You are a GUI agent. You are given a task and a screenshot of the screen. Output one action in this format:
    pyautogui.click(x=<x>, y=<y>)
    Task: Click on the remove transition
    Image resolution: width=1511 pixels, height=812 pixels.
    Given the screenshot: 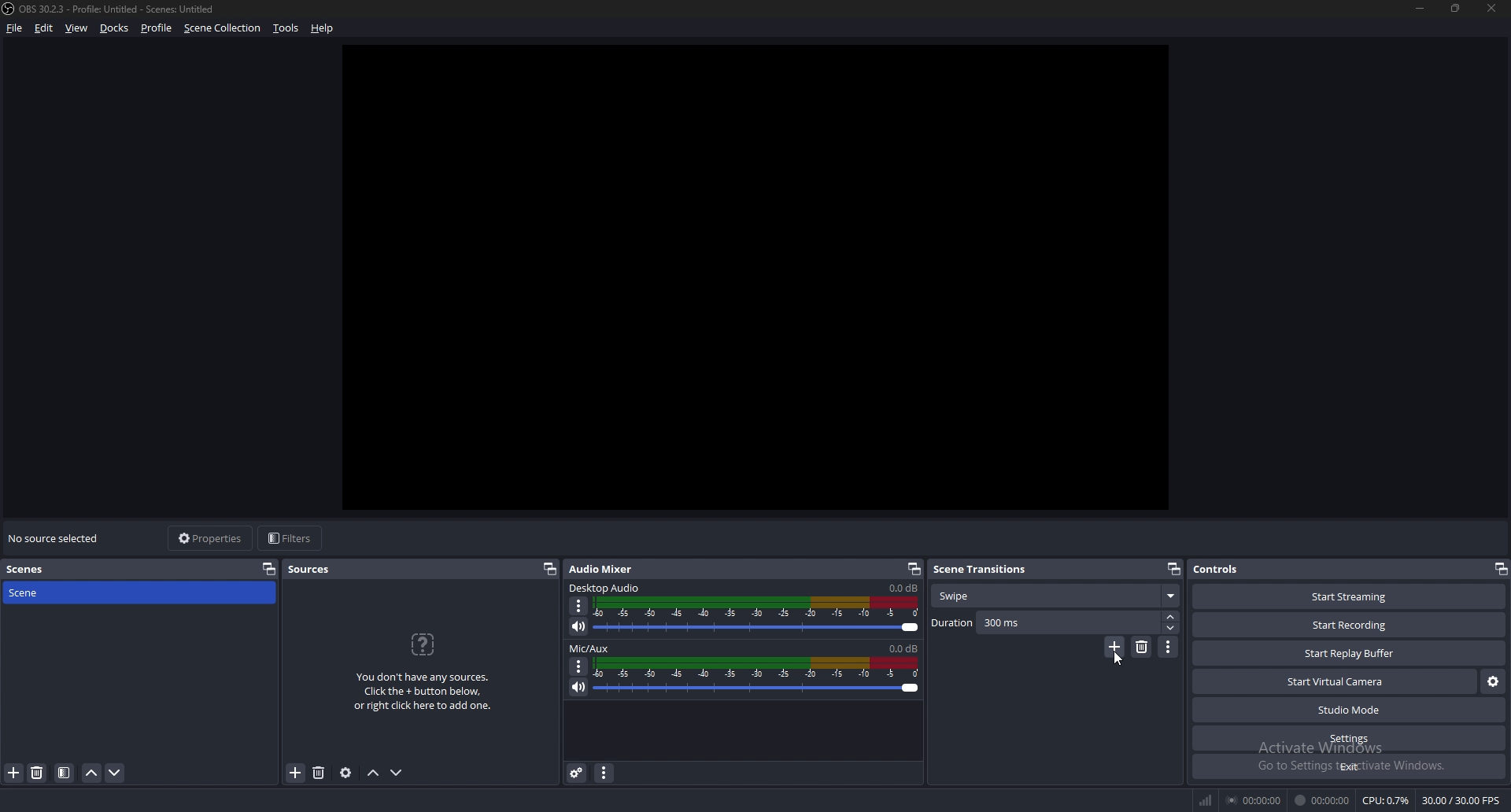 What is the action you would take?
    pyautogui.click(x=1143, y=647)
    